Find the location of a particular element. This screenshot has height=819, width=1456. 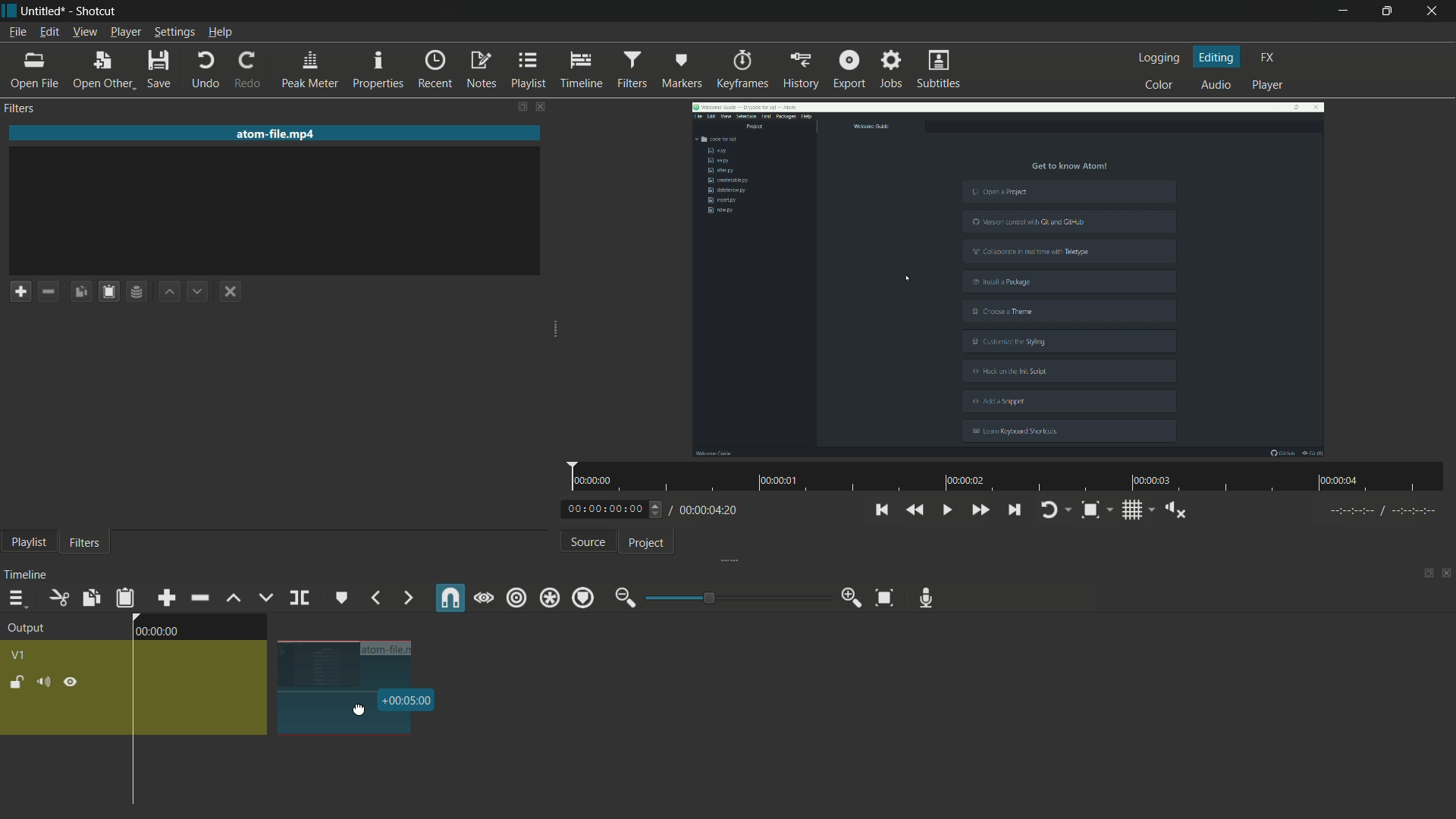

fx is located at coordinates (1267, 58).